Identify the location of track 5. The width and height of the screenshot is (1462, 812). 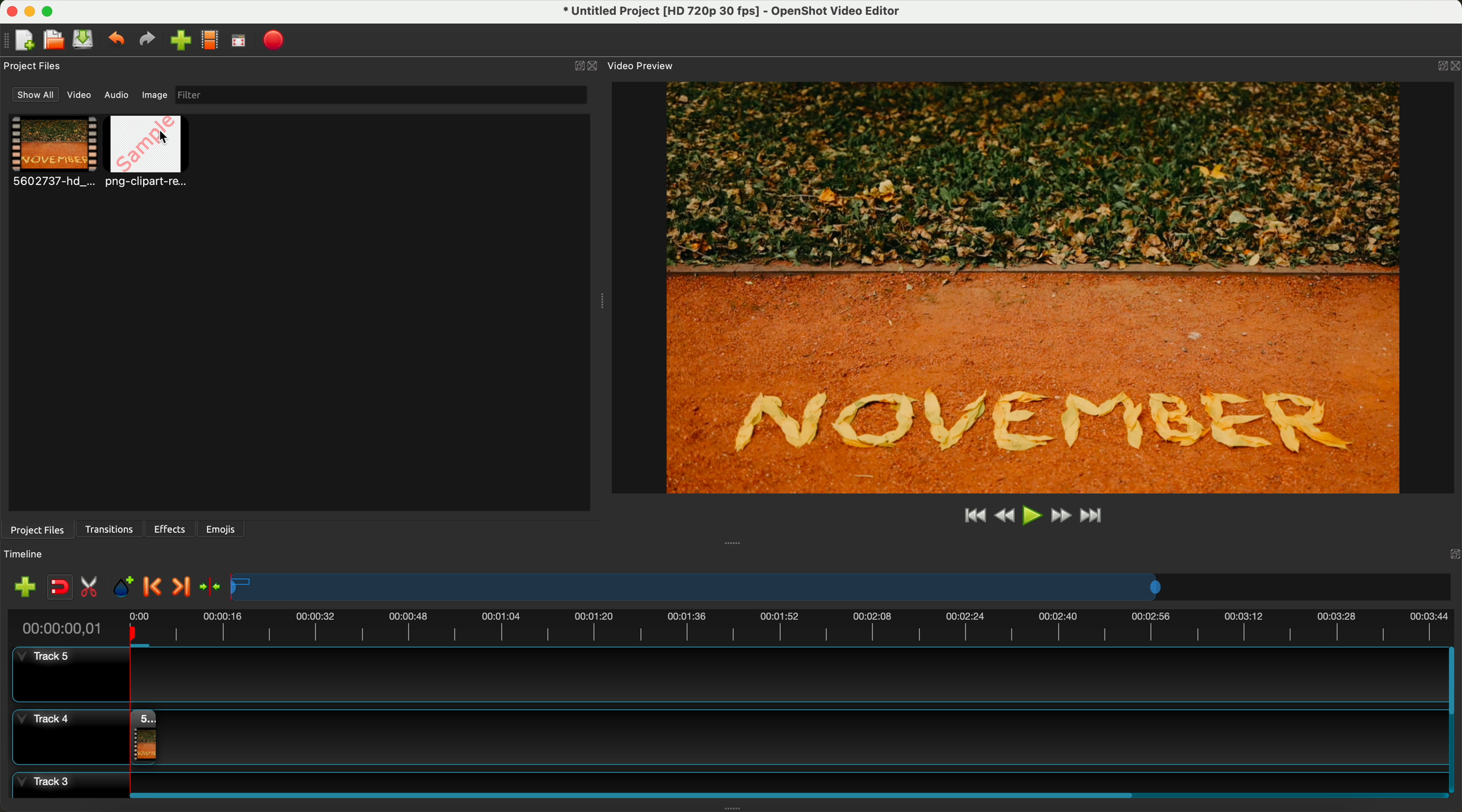
(724, 675).